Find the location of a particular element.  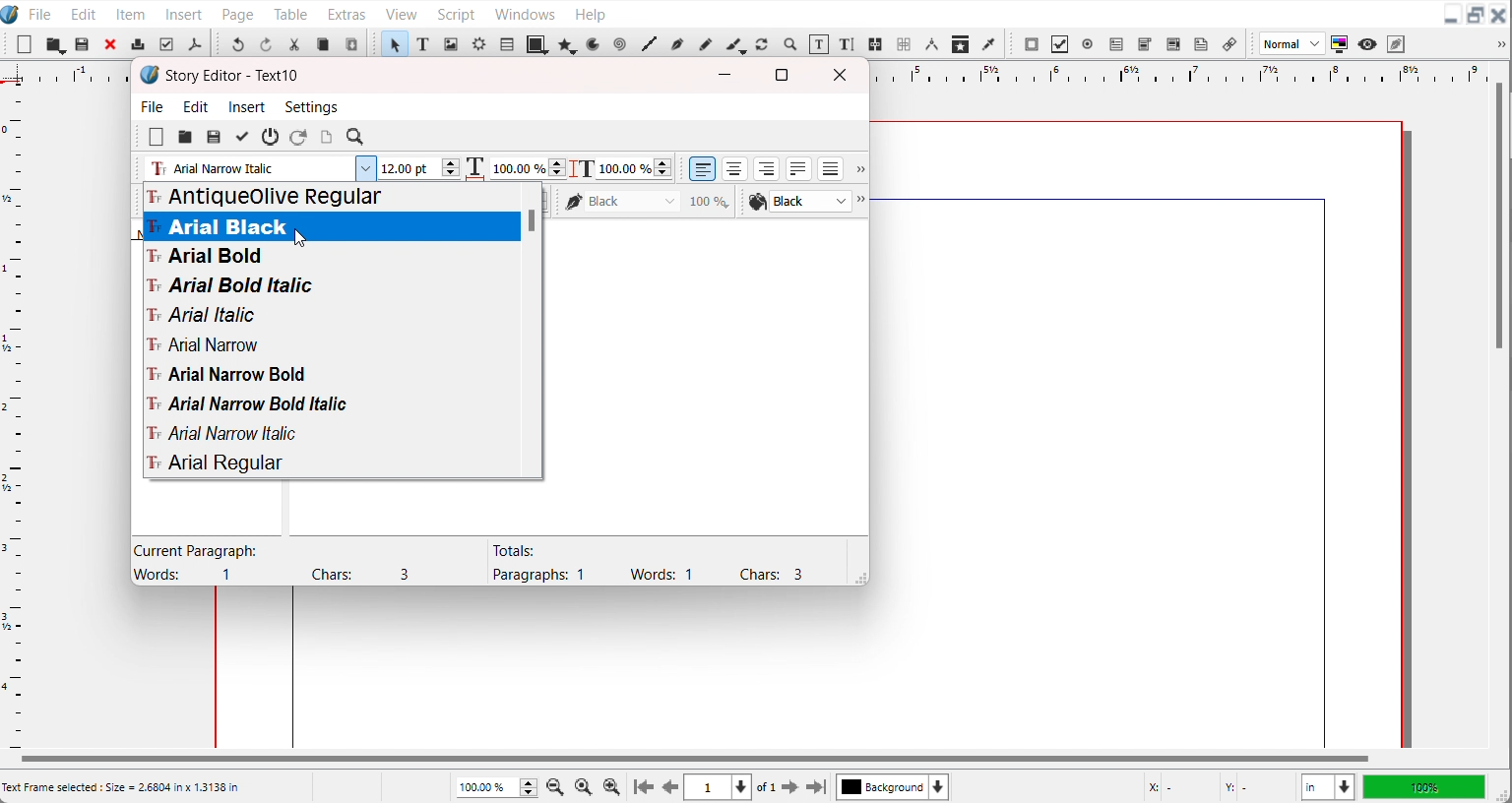

Redo is located at coordinates (265, 43).